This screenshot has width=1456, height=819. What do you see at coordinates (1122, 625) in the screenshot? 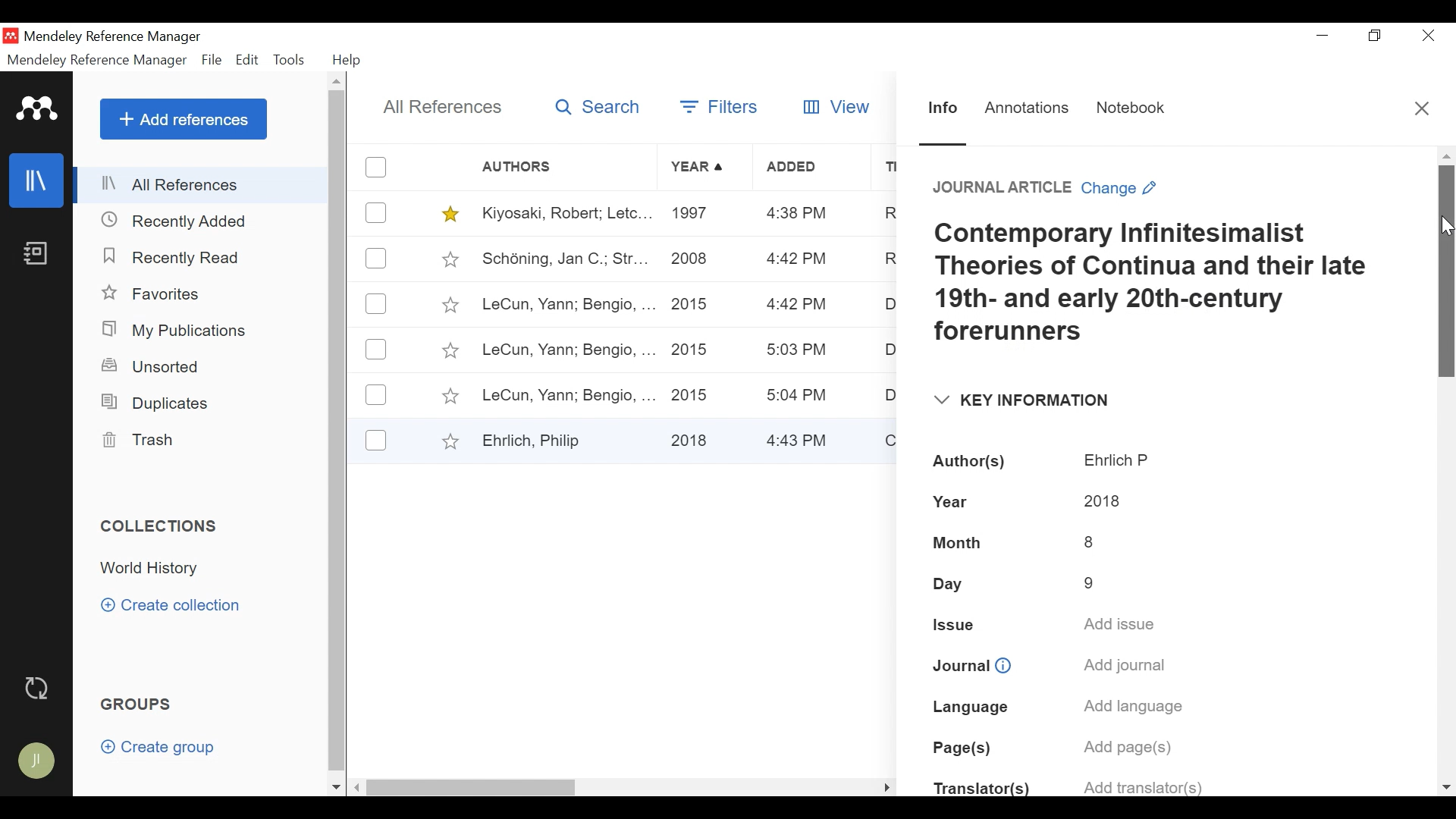
I see `Add issue` at bounding box center [1122, 625].